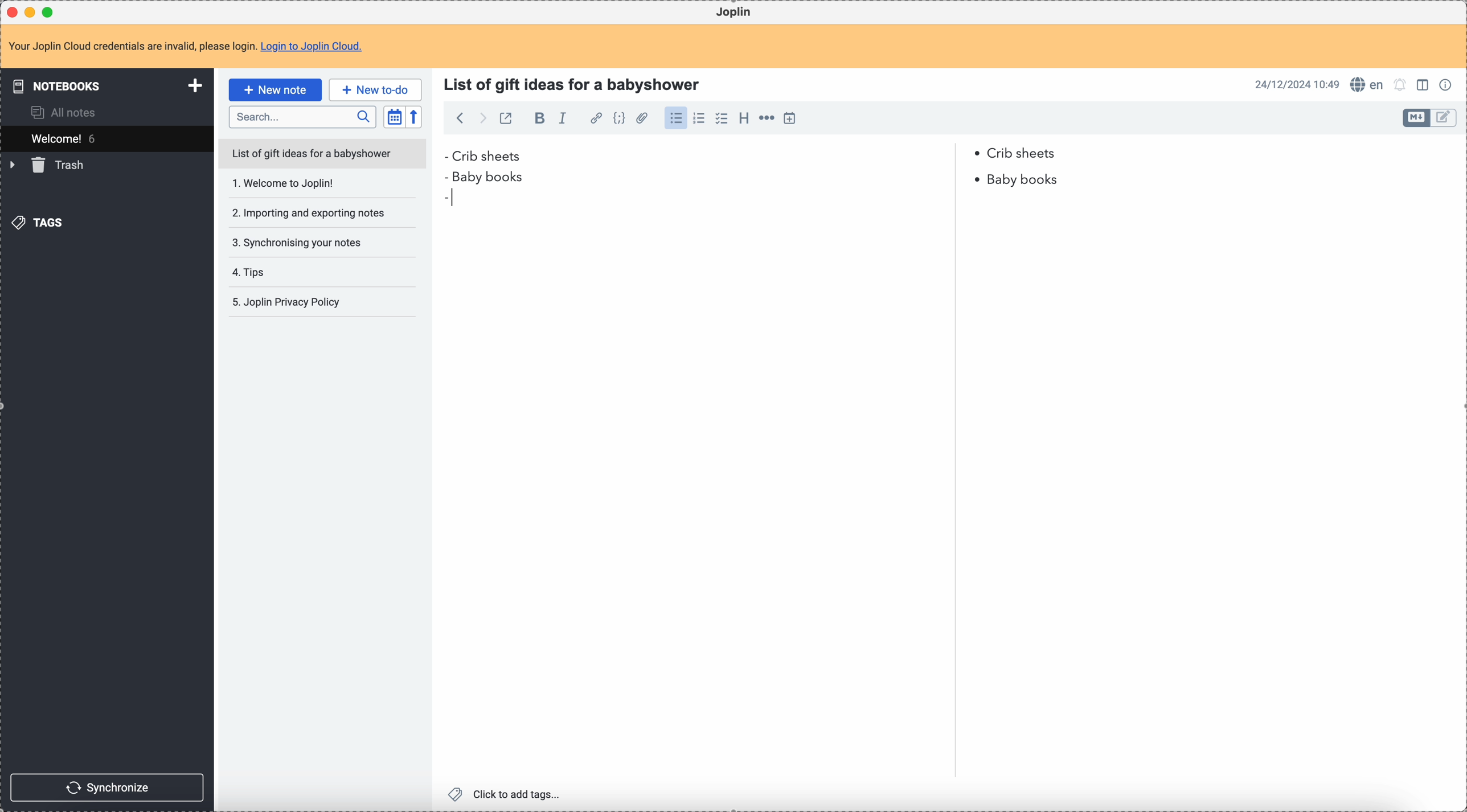 This screenshot has width=1467, height=812. What do you see at coordinates (109, 786) in the screenshot?
I see `synchronize` at bounding box center [109, 786].